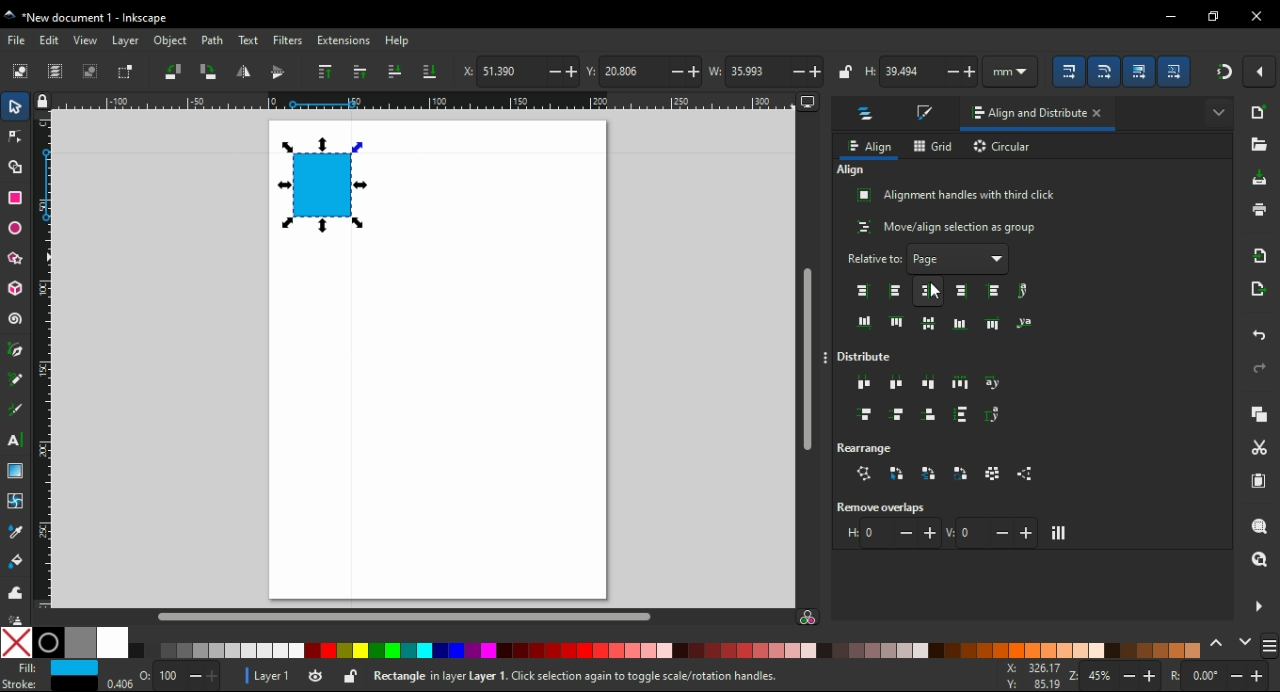 This screenshot has height=692, width=1280. I want to click on scroll bar, so click(807, 350).